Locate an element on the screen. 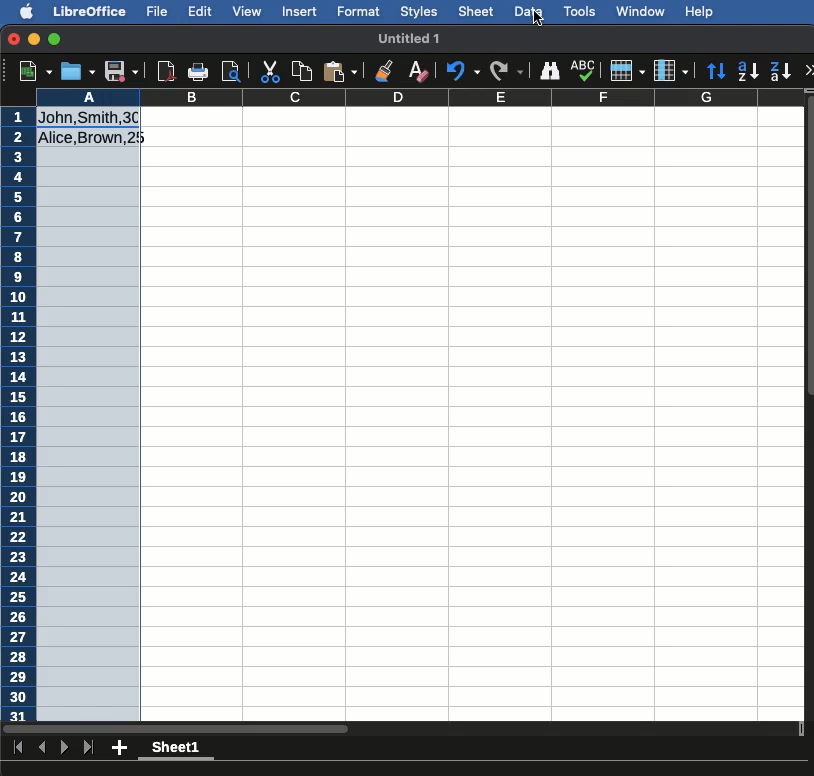  Ascending is located at coordinates (750, 70).